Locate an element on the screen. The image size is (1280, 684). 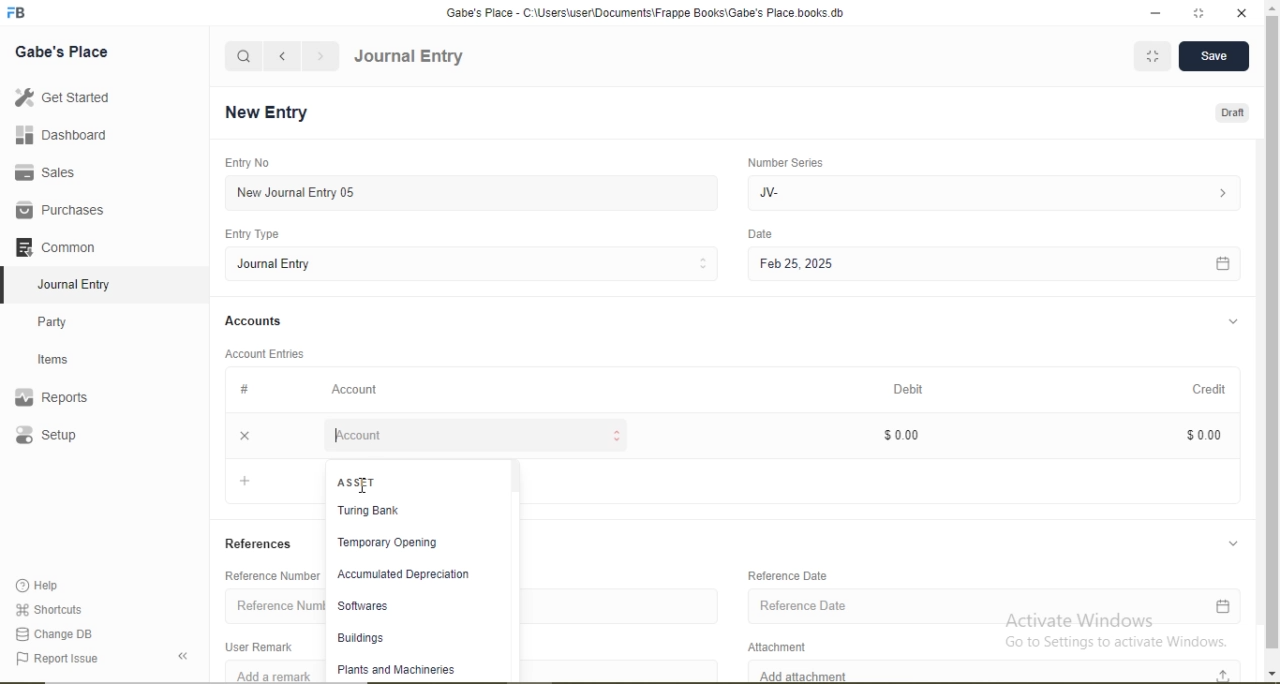
navigate forward is located at coordinates (322, 56).